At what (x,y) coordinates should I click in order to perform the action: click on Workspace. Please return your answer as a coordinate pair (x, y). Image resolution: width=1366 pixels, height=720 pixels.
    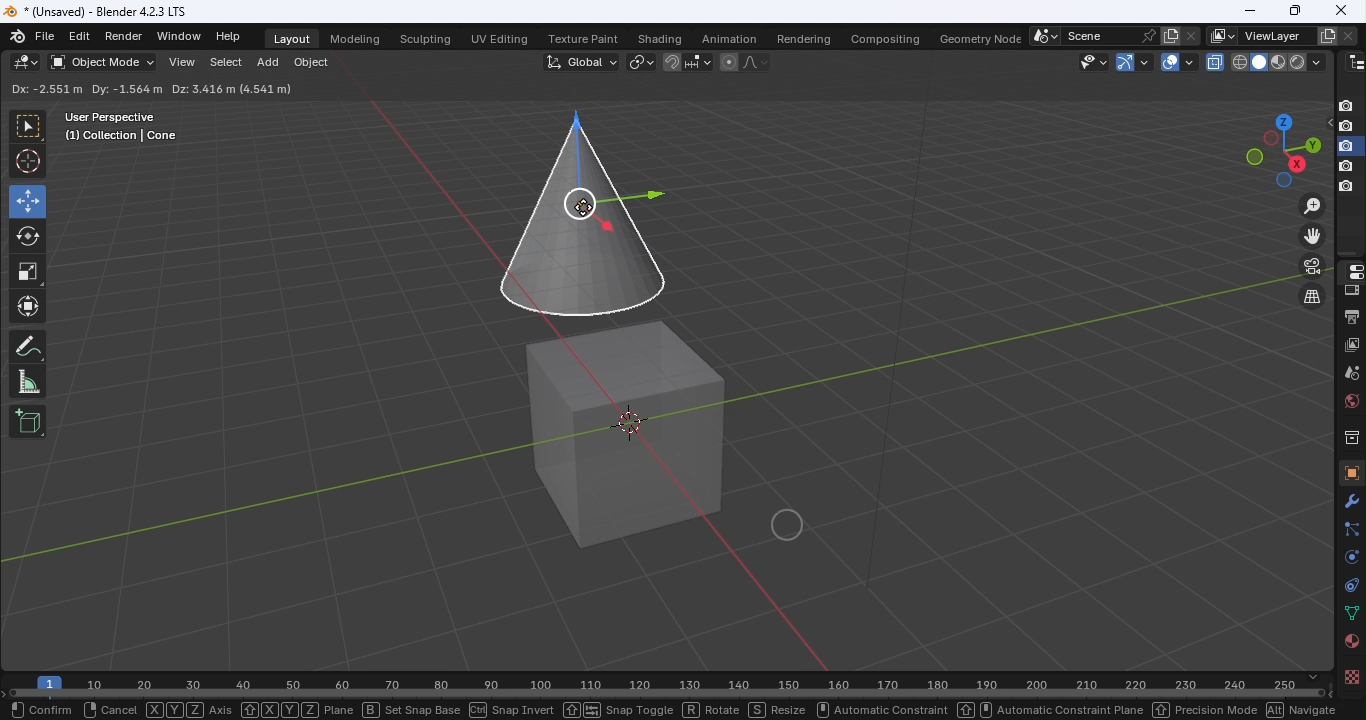
    Looking at the image, I should click on (647, 389).